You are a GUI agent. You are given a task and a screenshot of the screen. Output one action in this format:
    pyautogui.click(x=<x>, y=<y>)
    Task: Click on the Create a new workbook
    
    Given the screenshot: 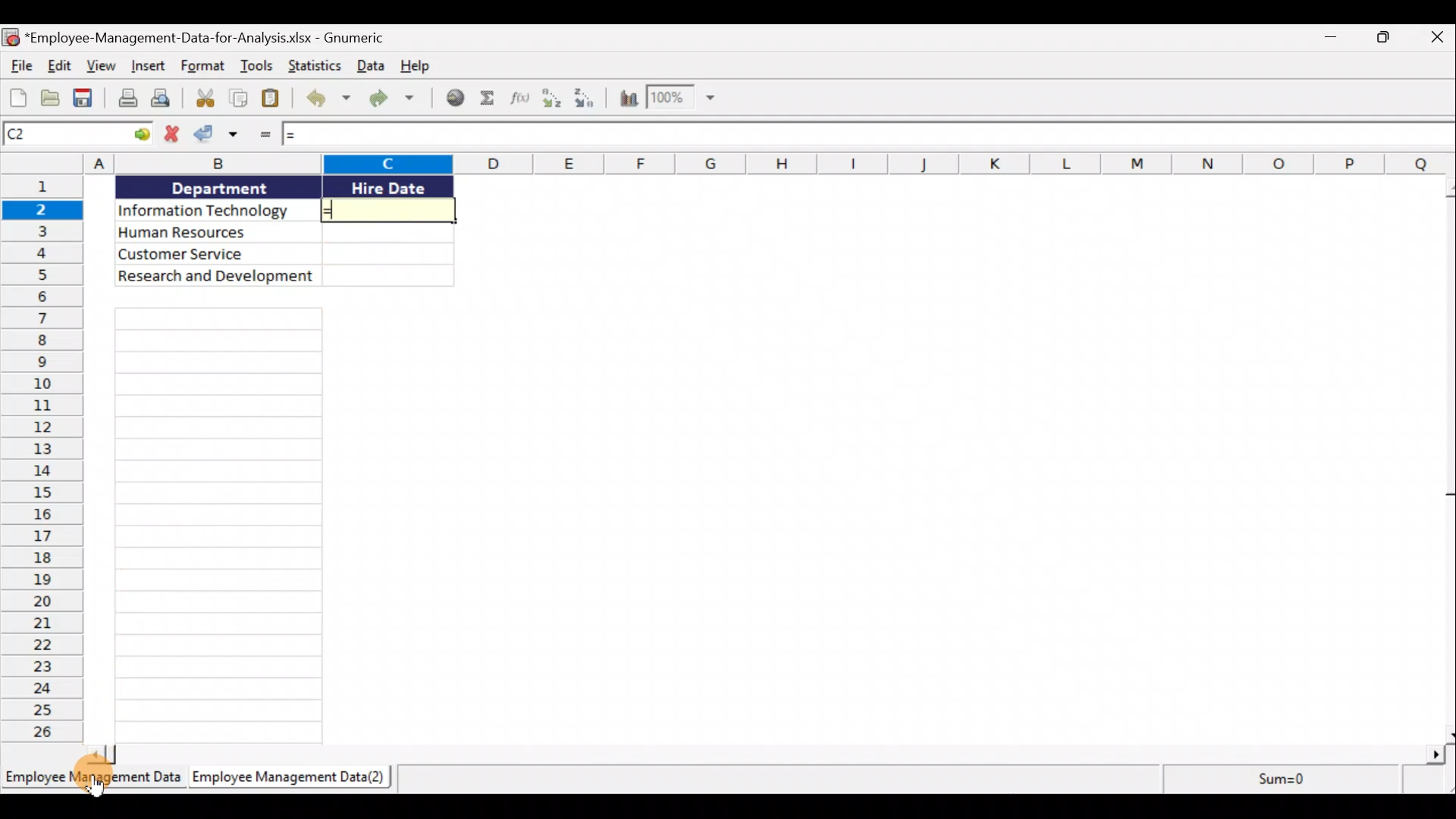 What is the action you would take?
    pyautogui.click(x=17, y=98)
    